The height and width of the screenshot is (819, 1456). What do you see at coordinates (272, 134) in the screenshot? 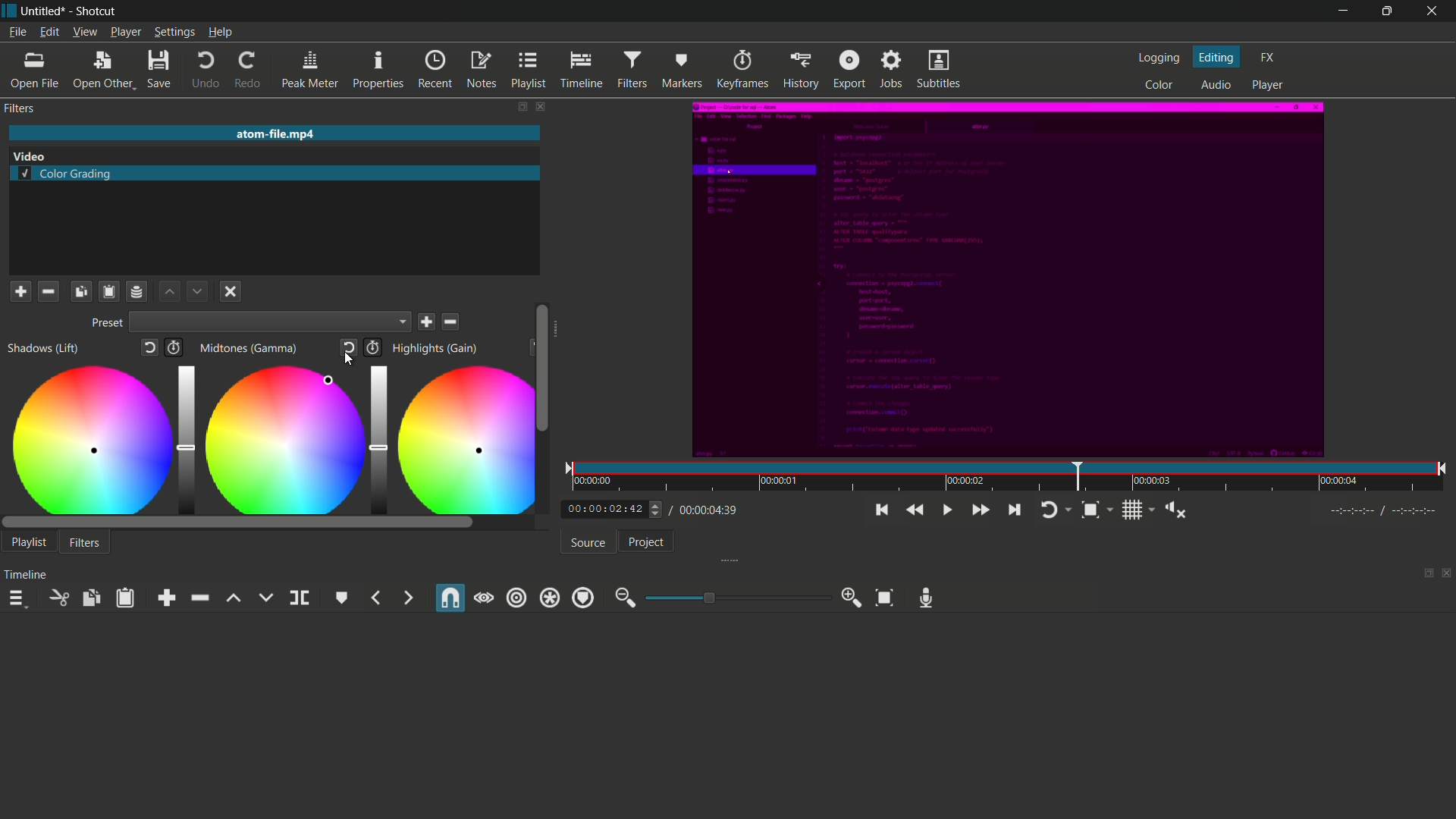
I see `imported file name` at bounding box center [272, 134].